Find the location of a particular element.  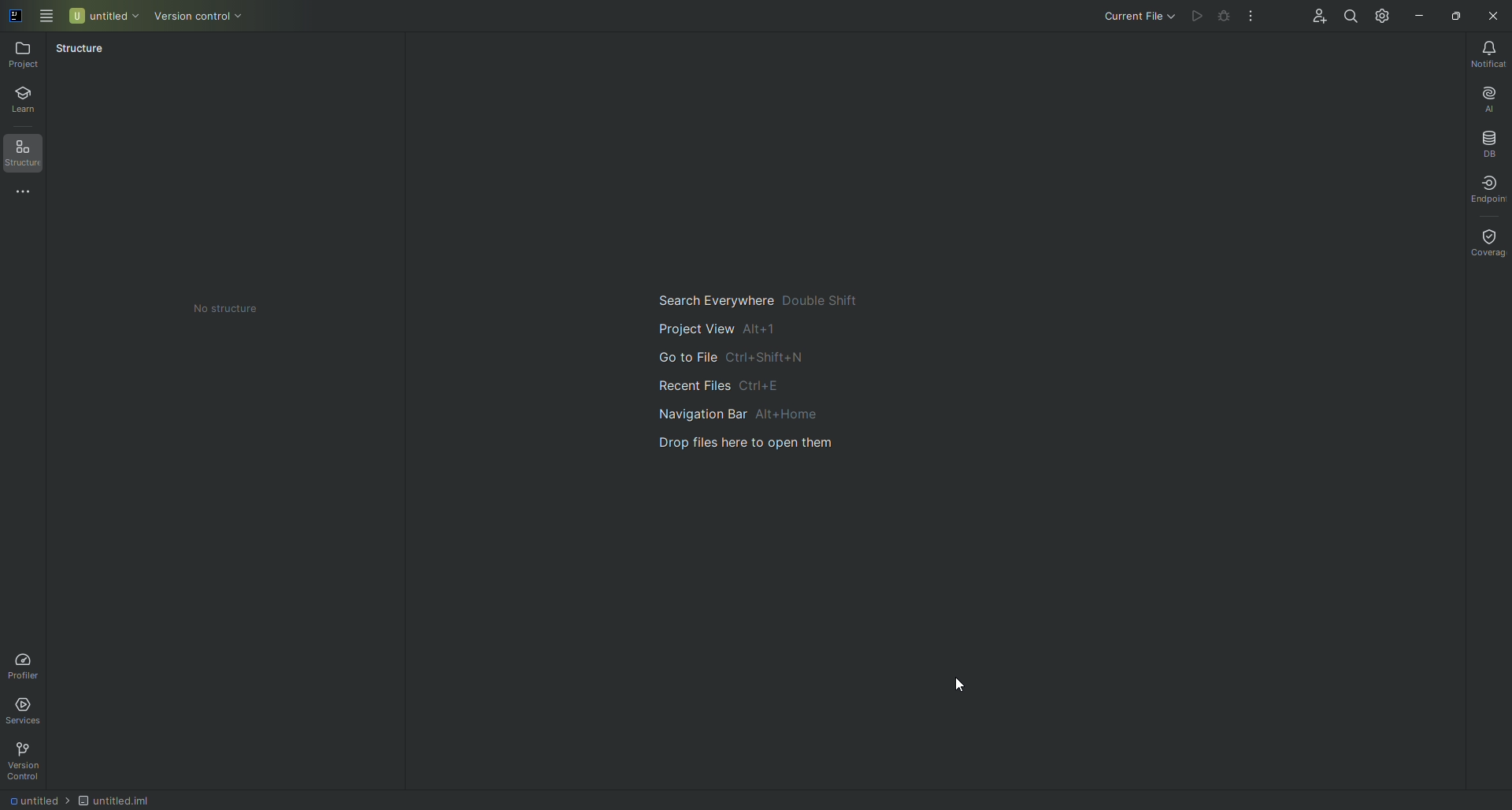

go to file is located at coordinates (762, 359).